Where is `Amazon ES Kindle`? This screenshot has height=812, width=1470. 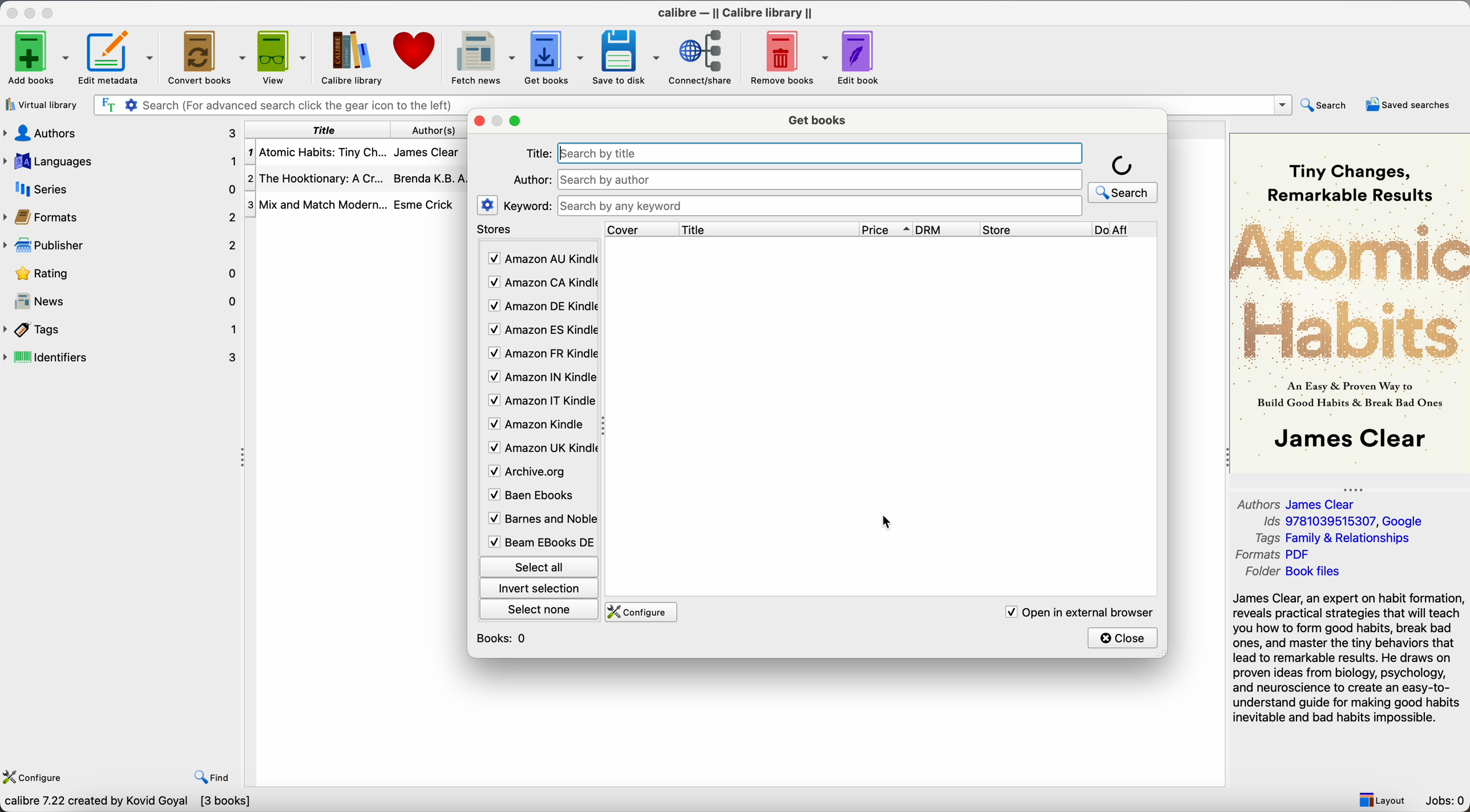
Amazon ES Kindle is located at coordinates (541, 332).